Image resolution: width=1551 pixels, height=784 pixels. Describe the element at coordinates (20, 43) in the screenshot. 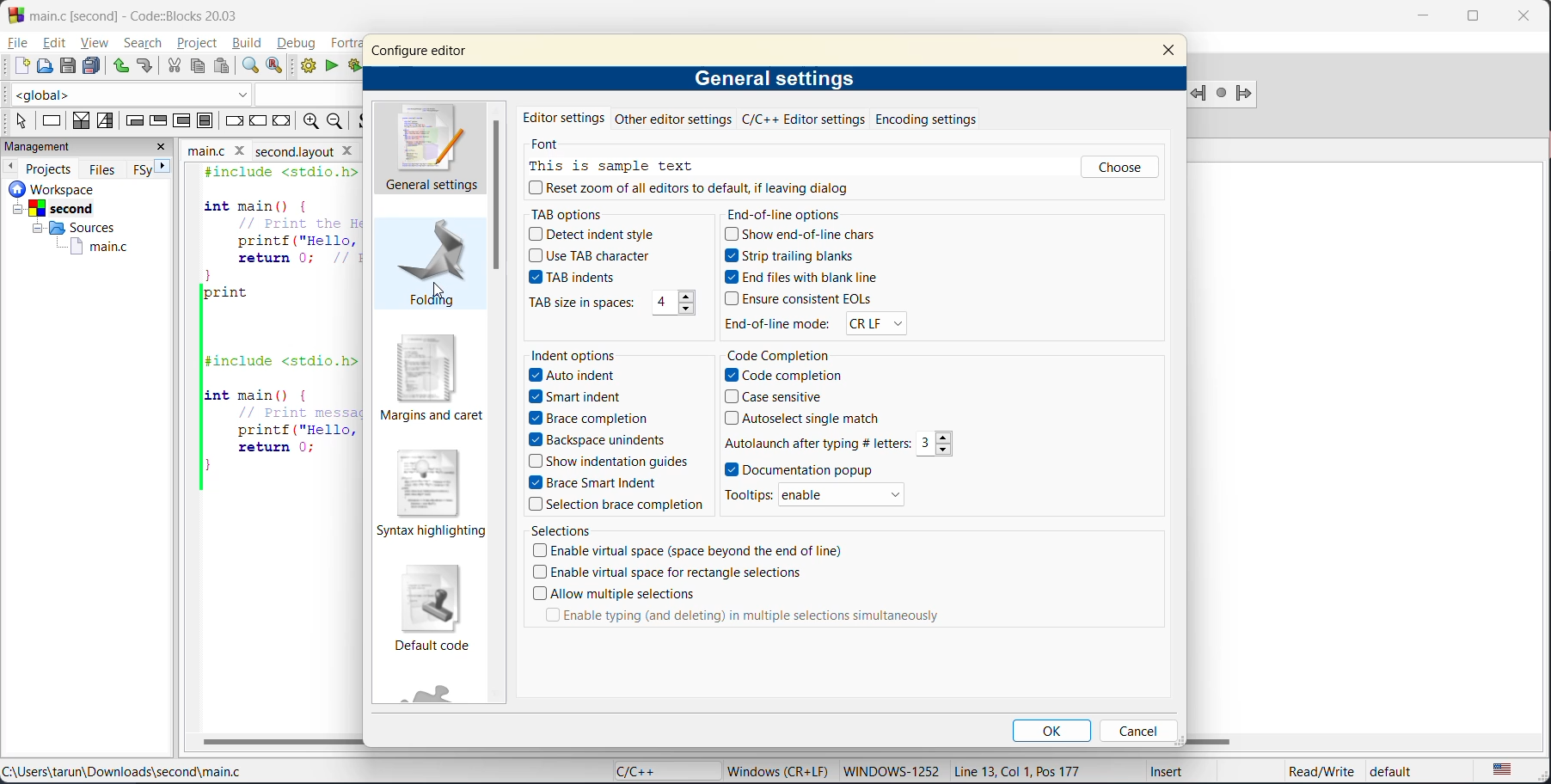

I see `file` at that location.